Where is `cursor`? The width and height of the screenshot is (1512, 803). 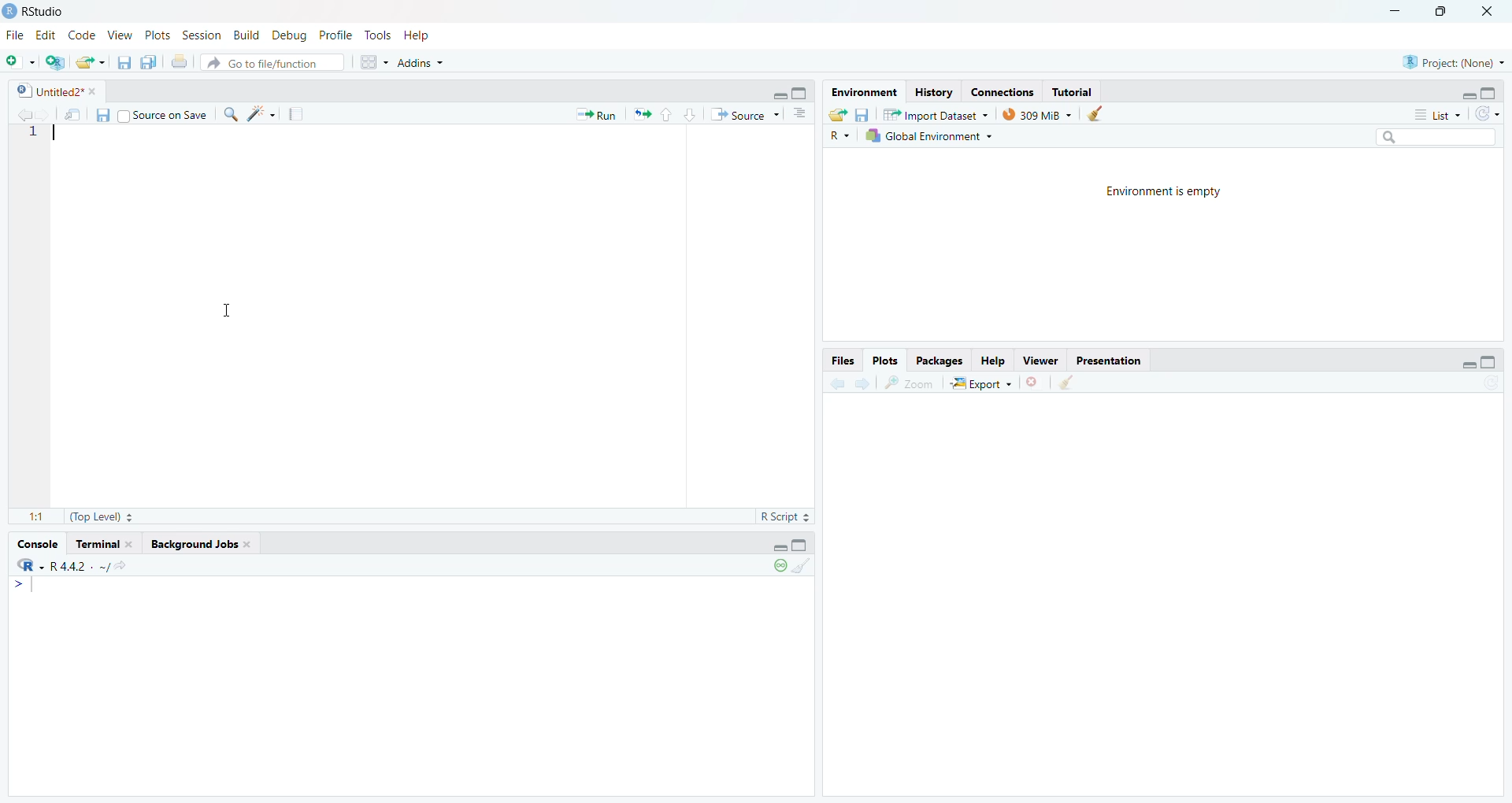
cursor is located at coordinates (228, 313).